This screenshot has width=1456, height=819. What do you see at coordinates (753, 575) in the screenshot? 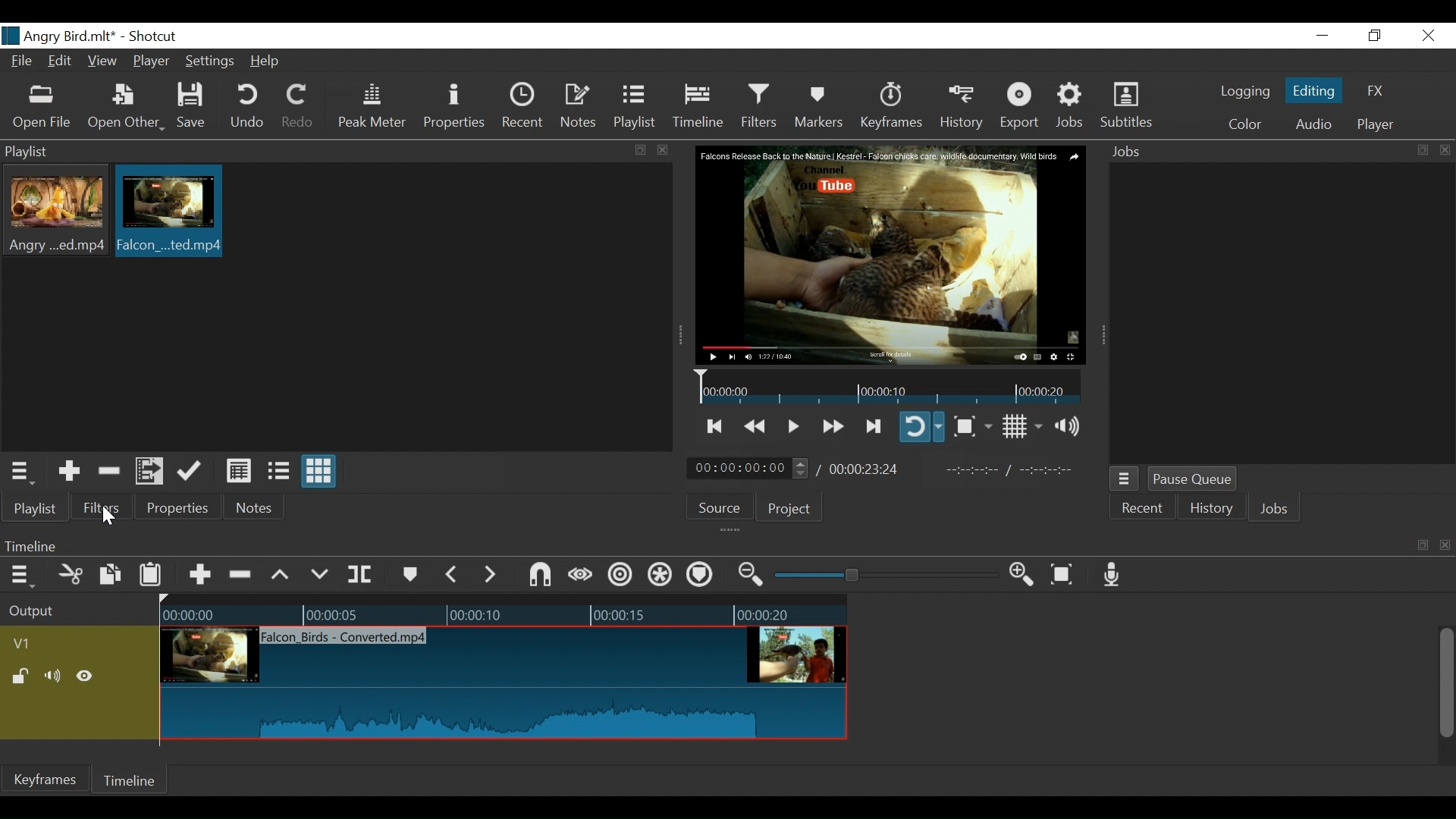
I see `Zoom timeline out` at bounding box center [753, 575].